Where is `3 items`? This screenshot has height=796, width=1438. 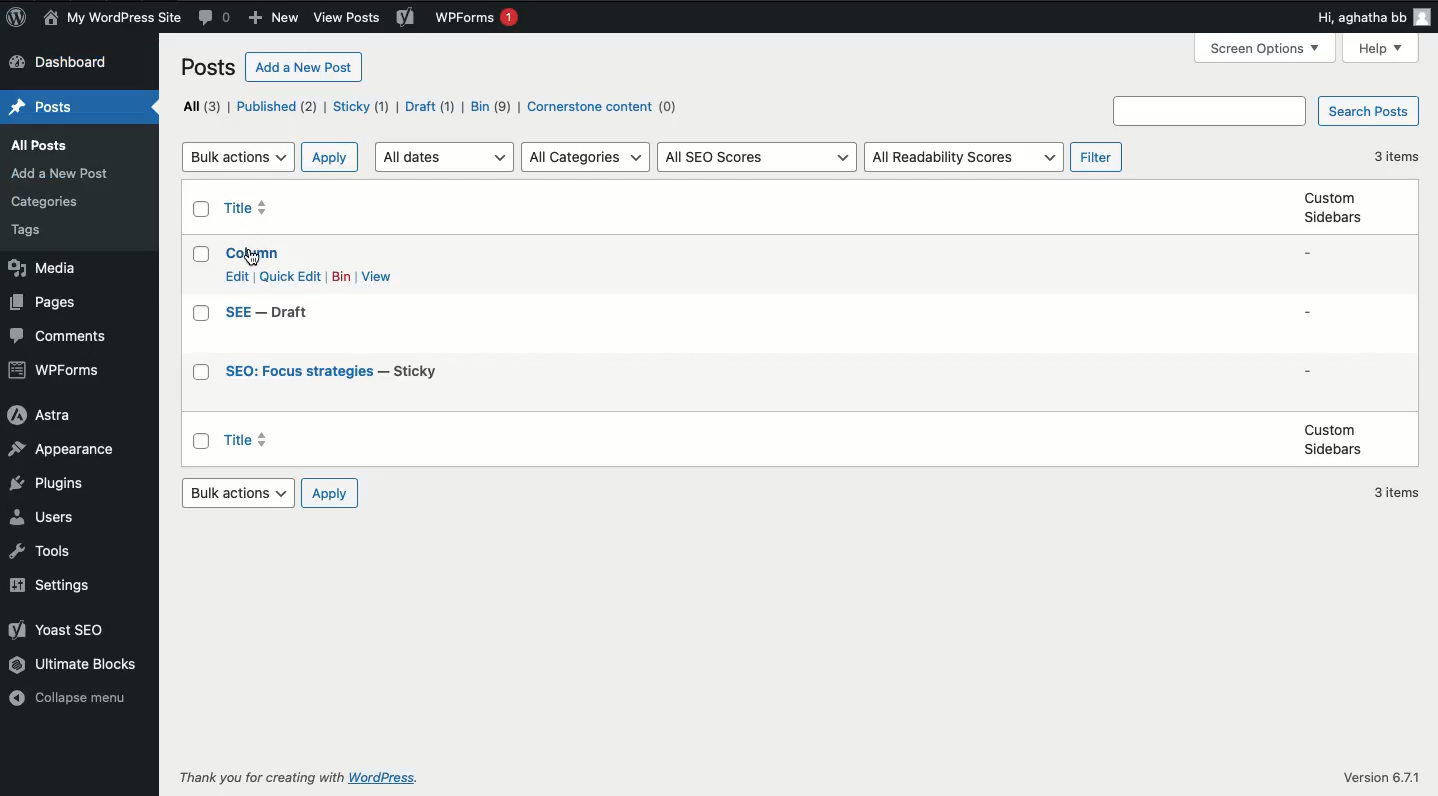
3 items is located at coordinates (1397, 158).